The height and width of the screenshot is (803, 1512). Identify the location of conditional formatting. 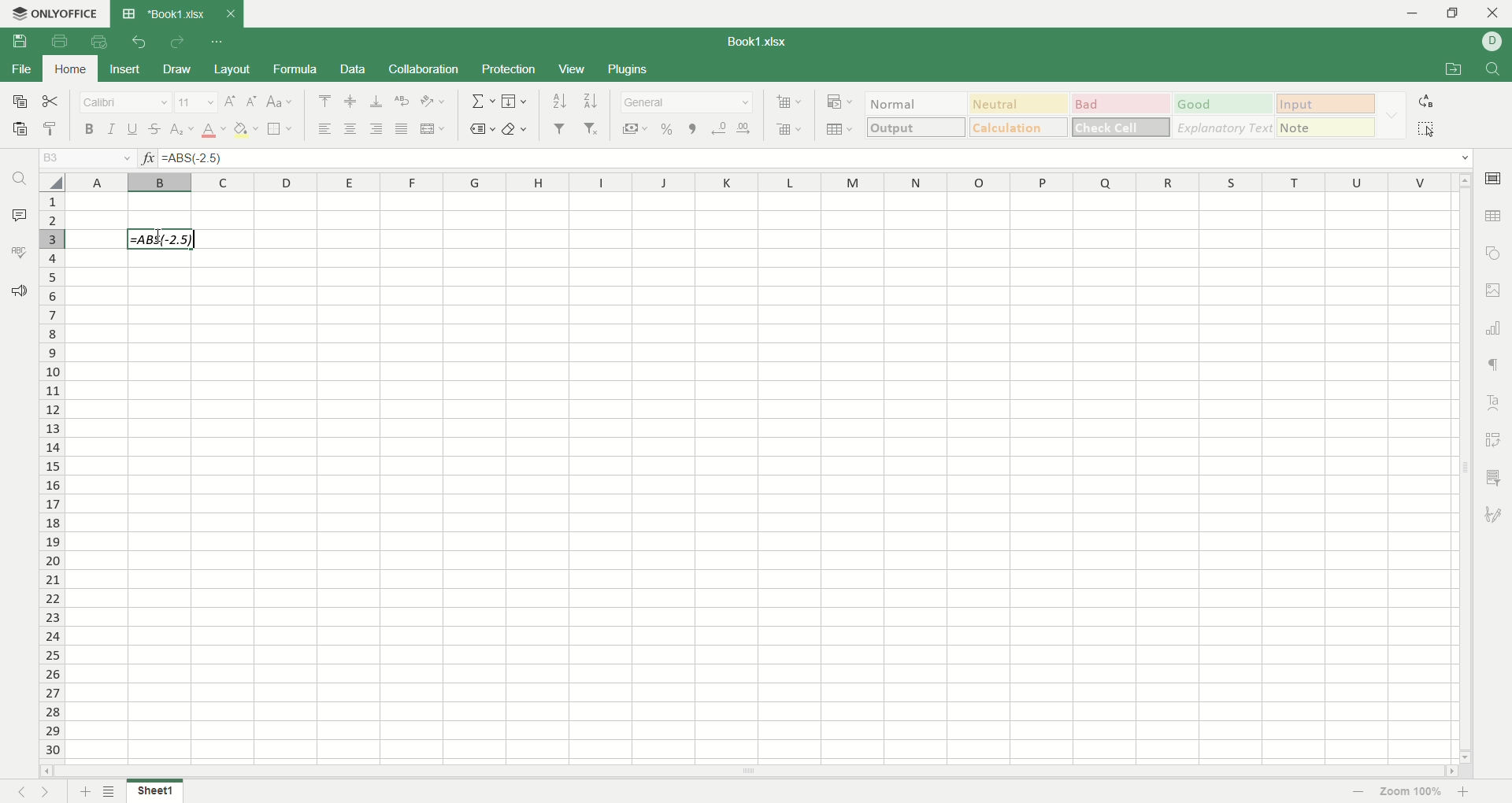
(841, 102).